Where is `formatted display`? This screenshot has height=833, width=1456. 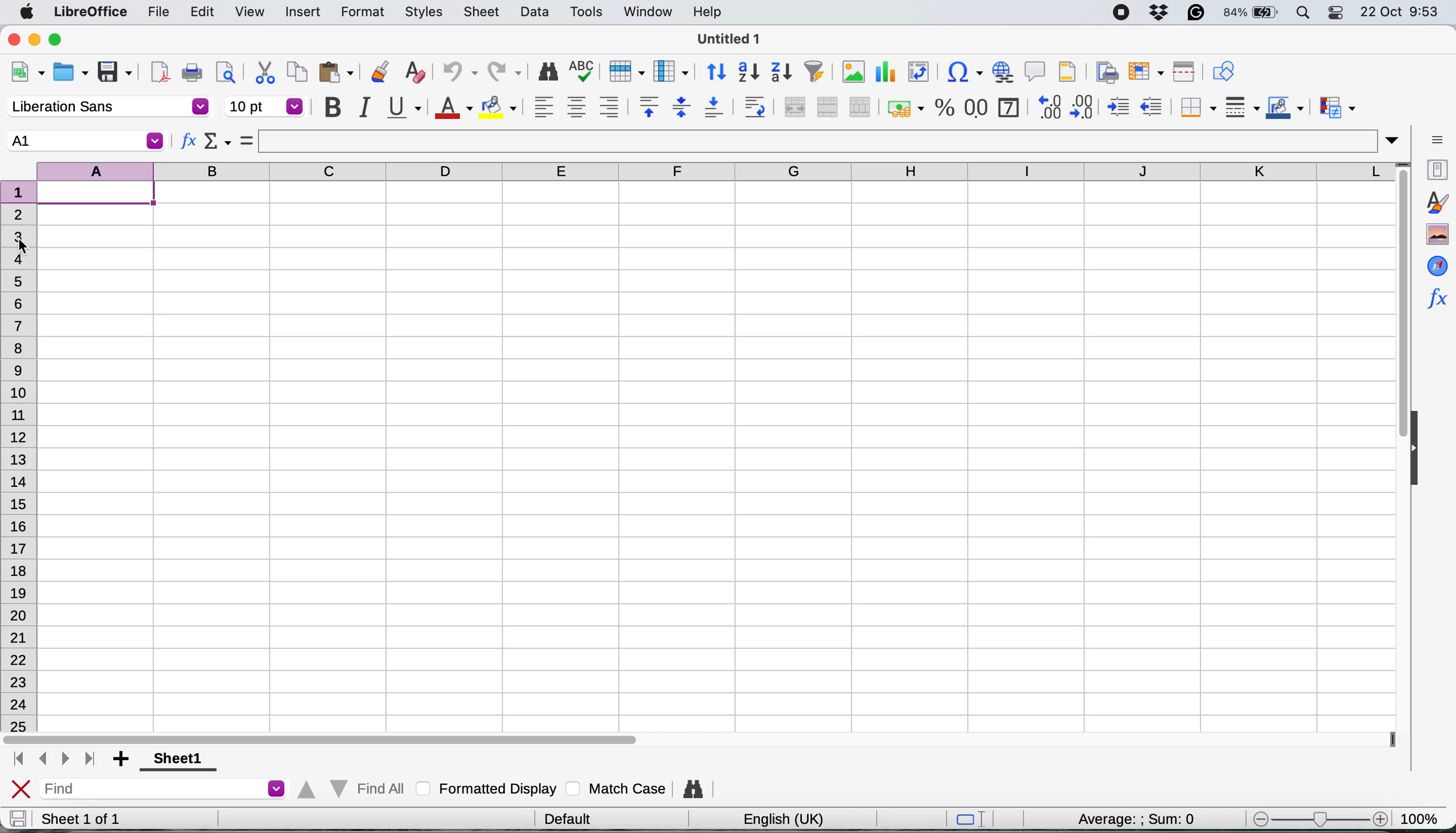 formatted display is located at coordinates (489, 787).